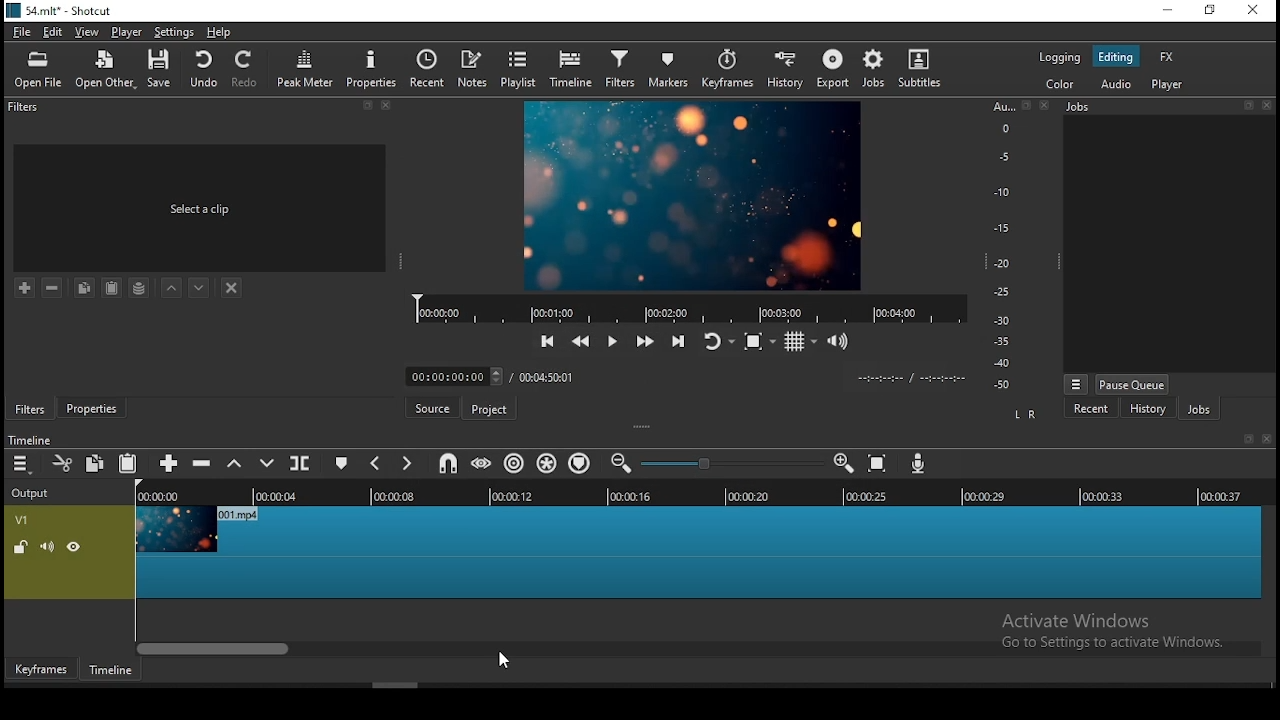 This screenshot has height=720, width=1280. What do you see at coordinates (30, 409) in the screenshot?
I see `filters` at bounding box center [30, 409].